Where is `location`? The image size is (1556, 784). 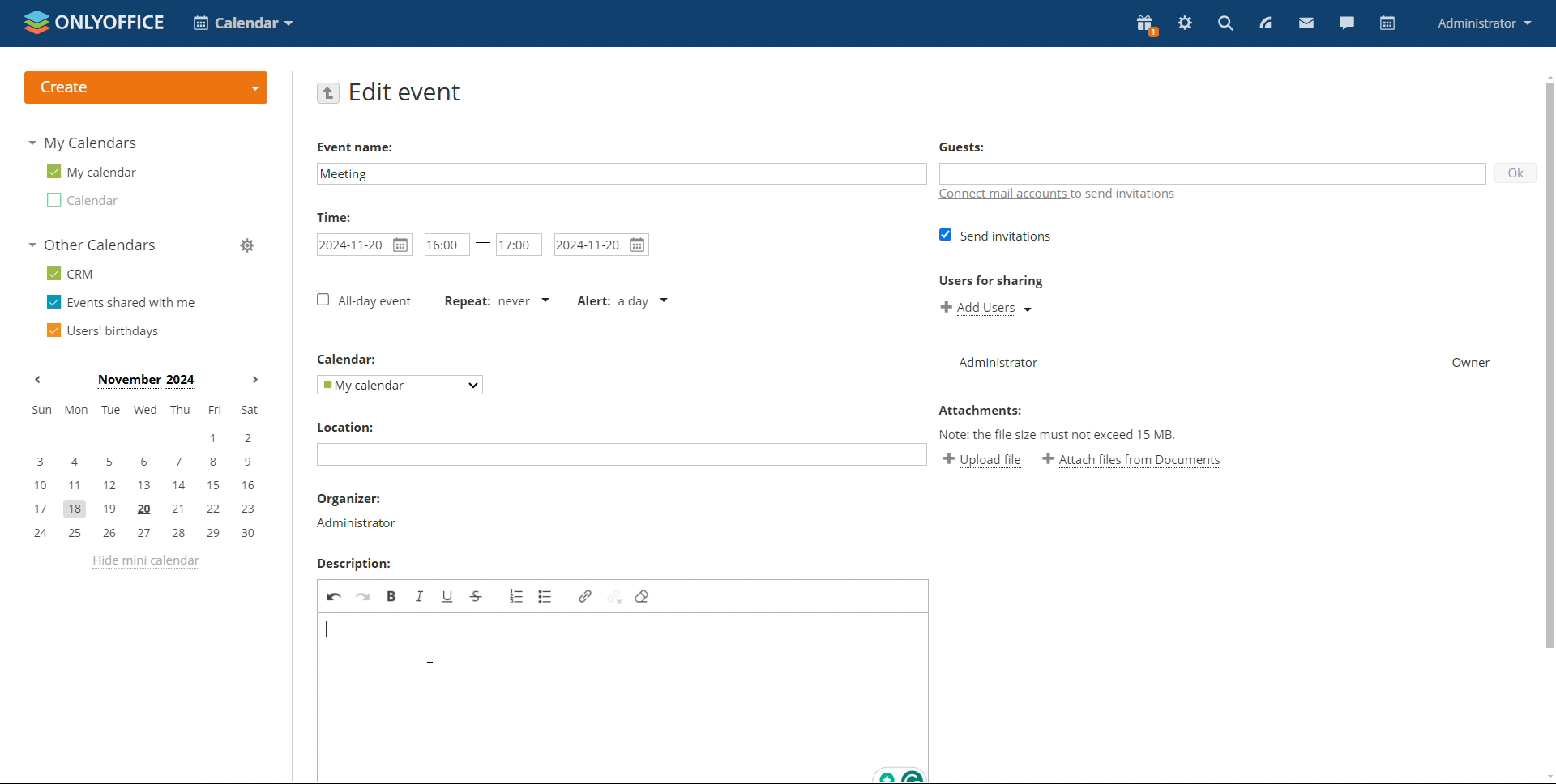 location is located at coordinates (345, 428).